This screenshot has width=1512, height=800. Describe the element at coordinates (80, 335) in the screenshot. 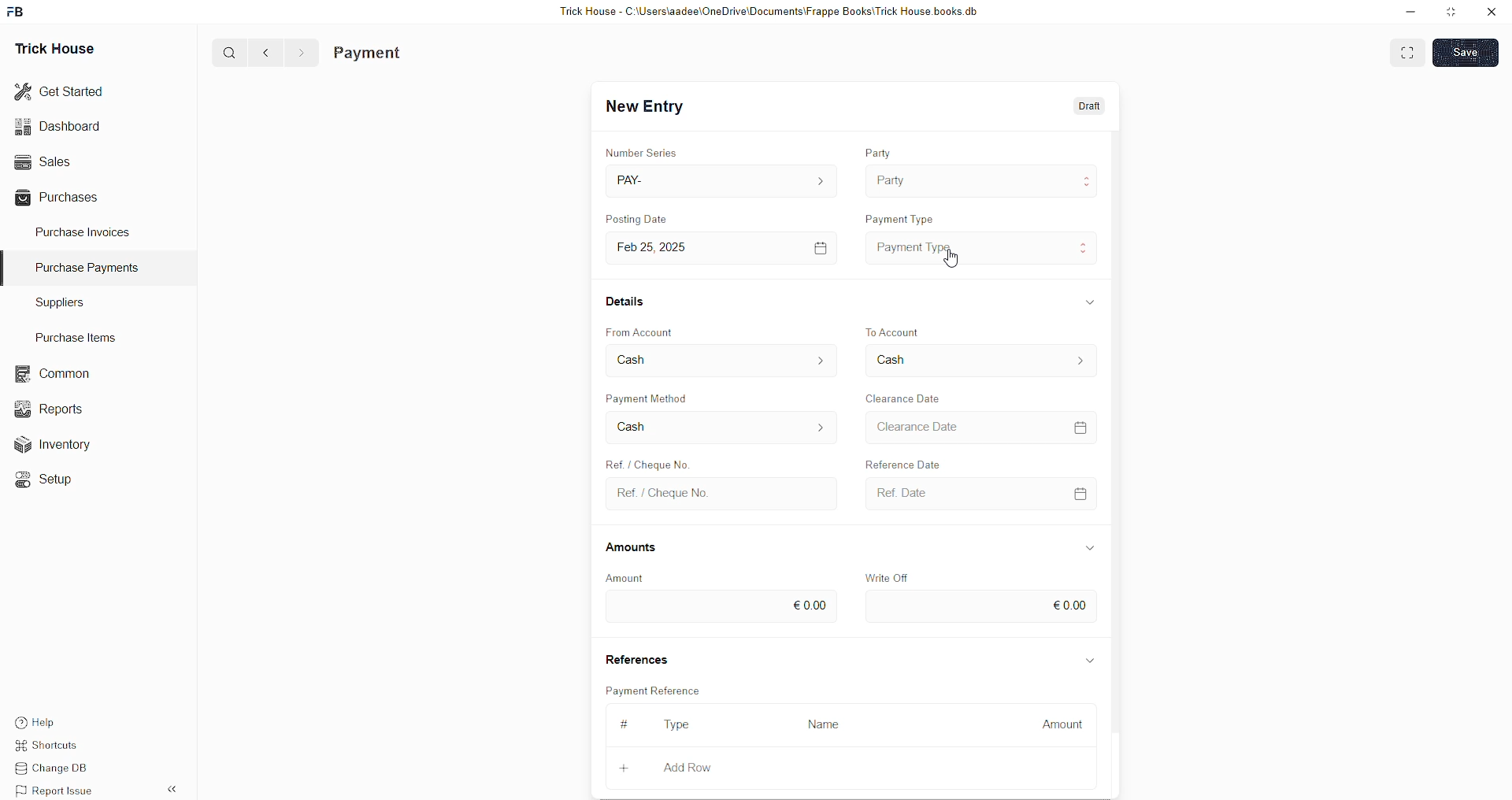

I see `Purchase Items` at that location.